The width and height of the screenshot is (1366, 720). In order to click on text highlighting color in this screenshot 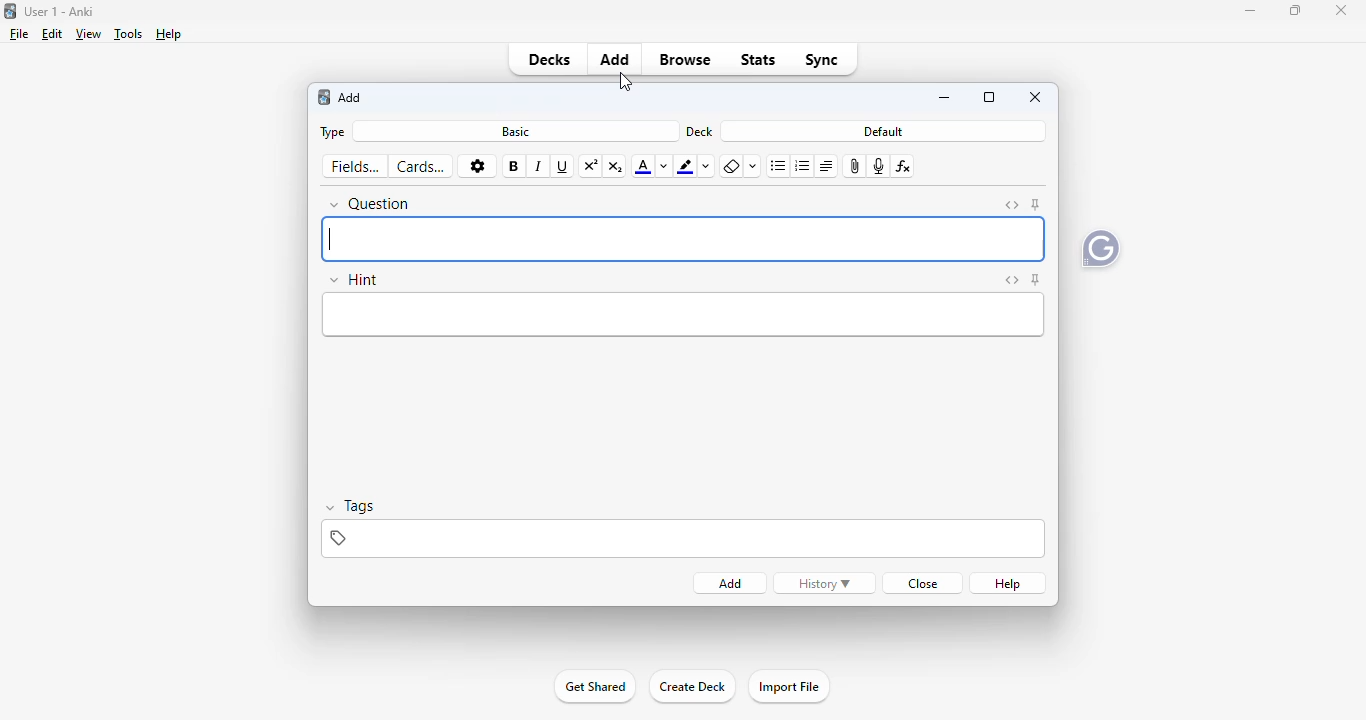, I will do `click(686, 167)`.